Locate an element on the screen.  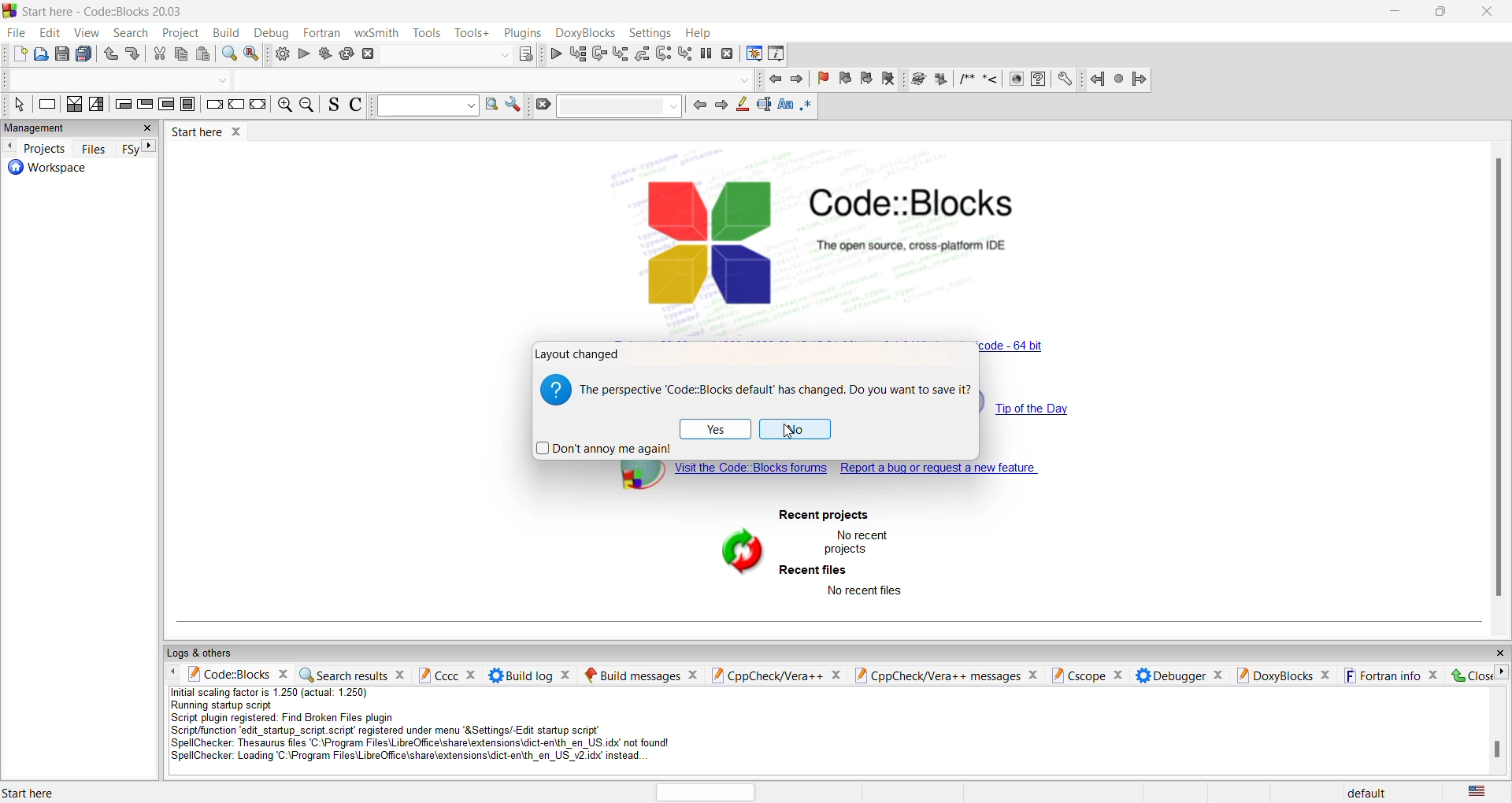
doxyBlocks is located at coordinates (584, 31).